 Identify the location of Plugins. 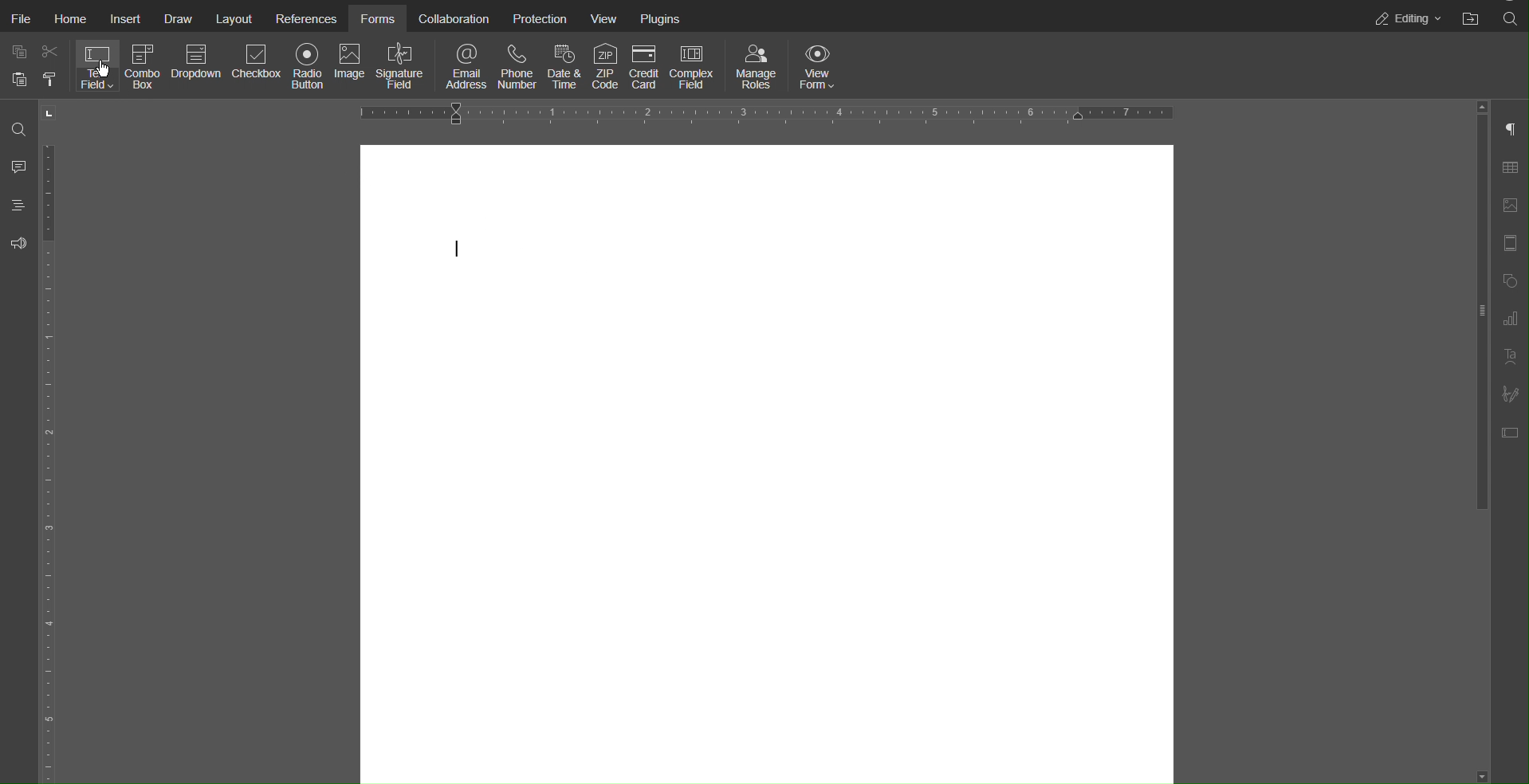
(660, 19).